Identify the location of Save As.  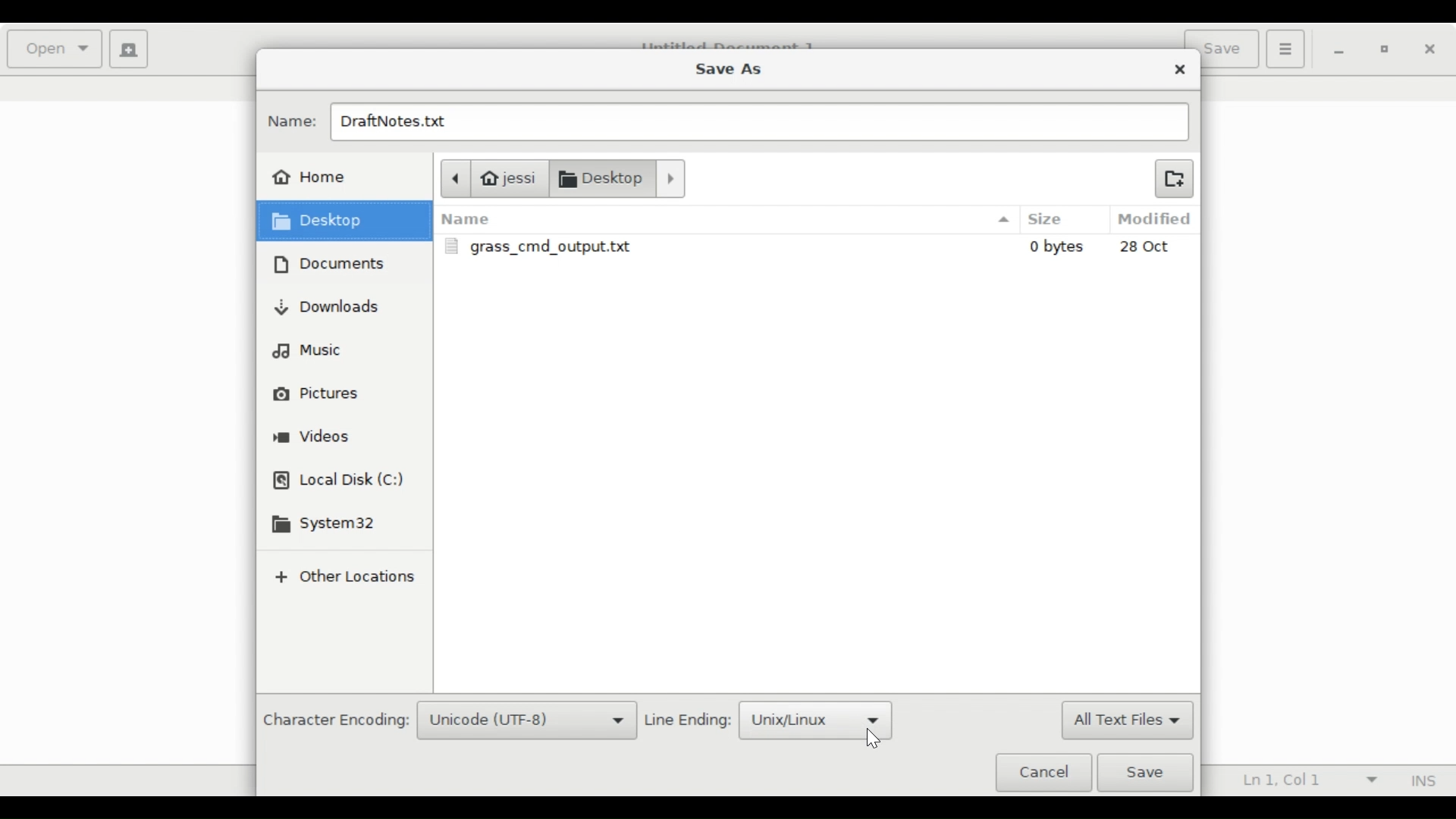
(727, 67).